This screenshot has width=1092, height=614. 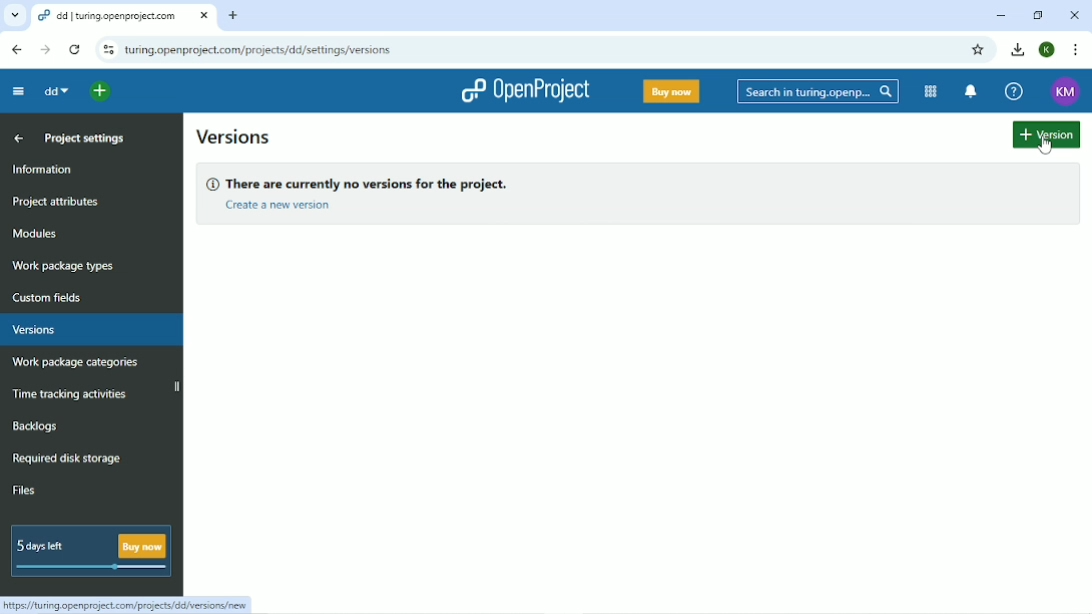 I want to click on Bookmark this tab, so click(x=977, y=50).